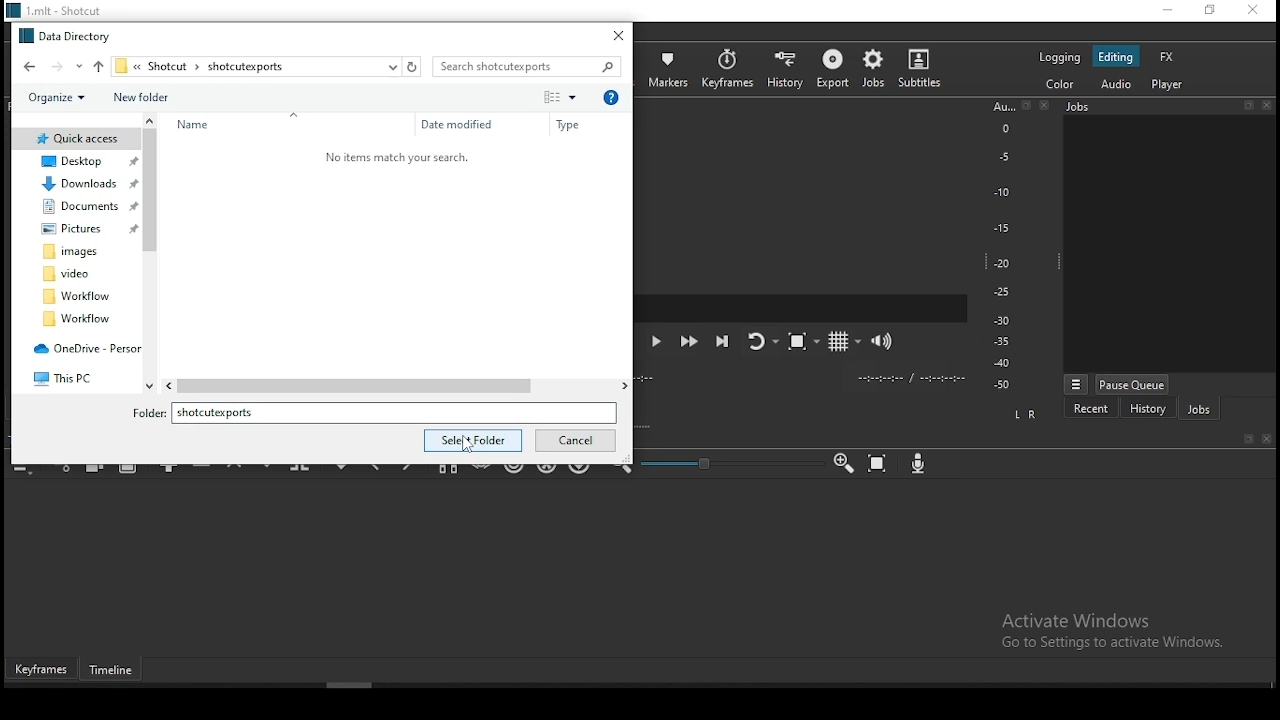  I want to click on Name, so click(199, 125).